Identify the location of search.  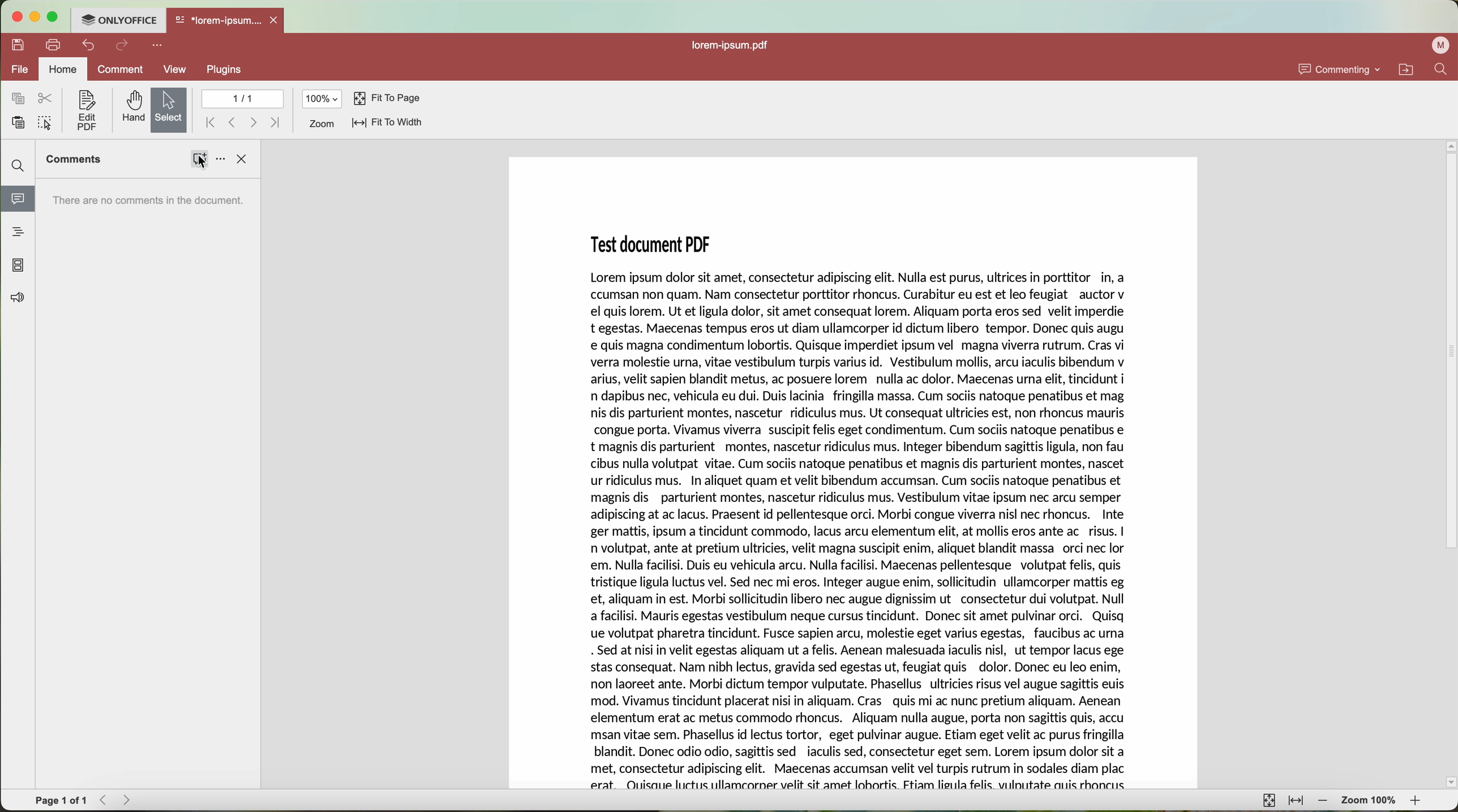
(1444, 68).